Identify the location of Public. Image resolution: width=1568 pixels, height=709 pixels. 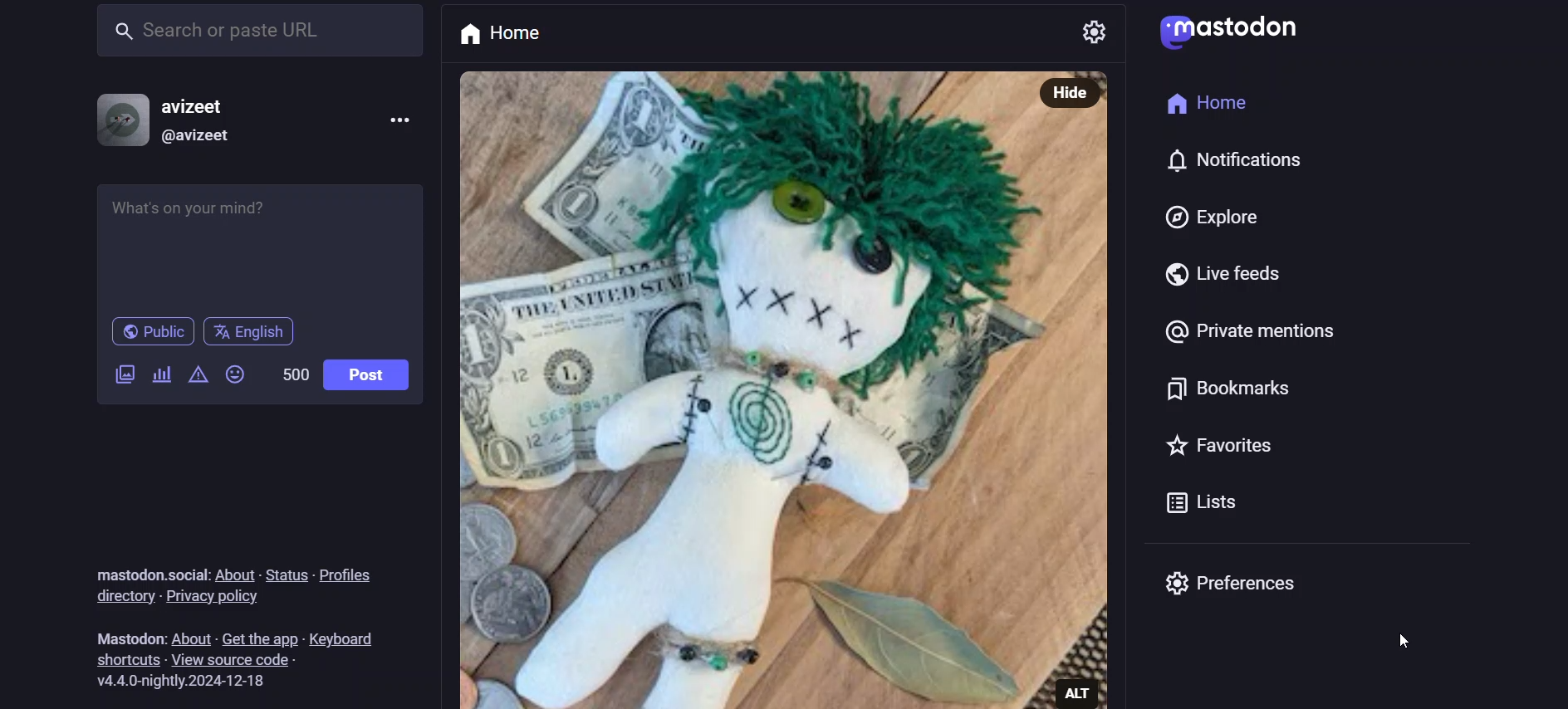
(152, 332).